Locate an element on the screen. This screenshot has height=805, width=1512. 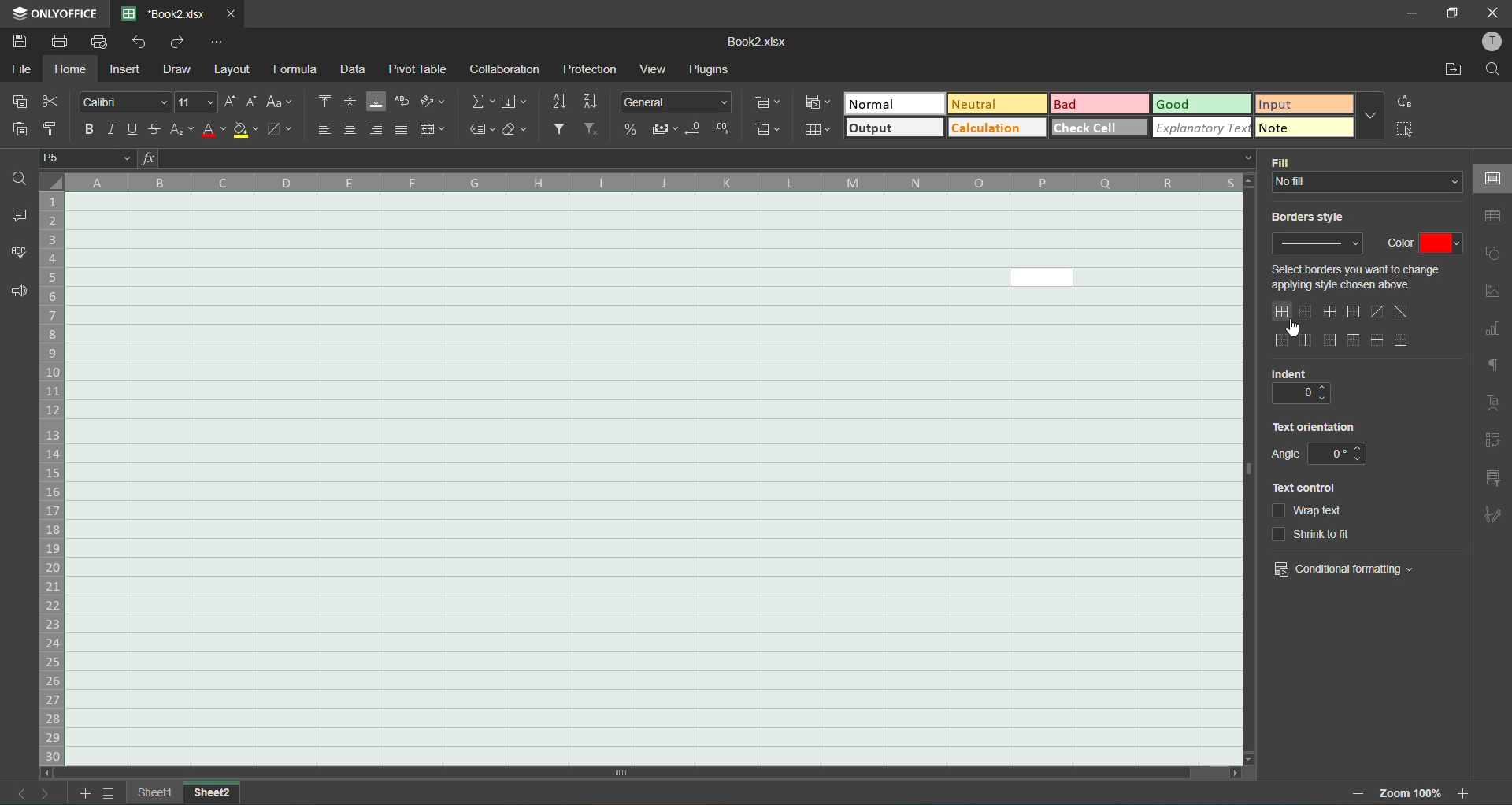
spellcheck is located at coordinates (18, 255).